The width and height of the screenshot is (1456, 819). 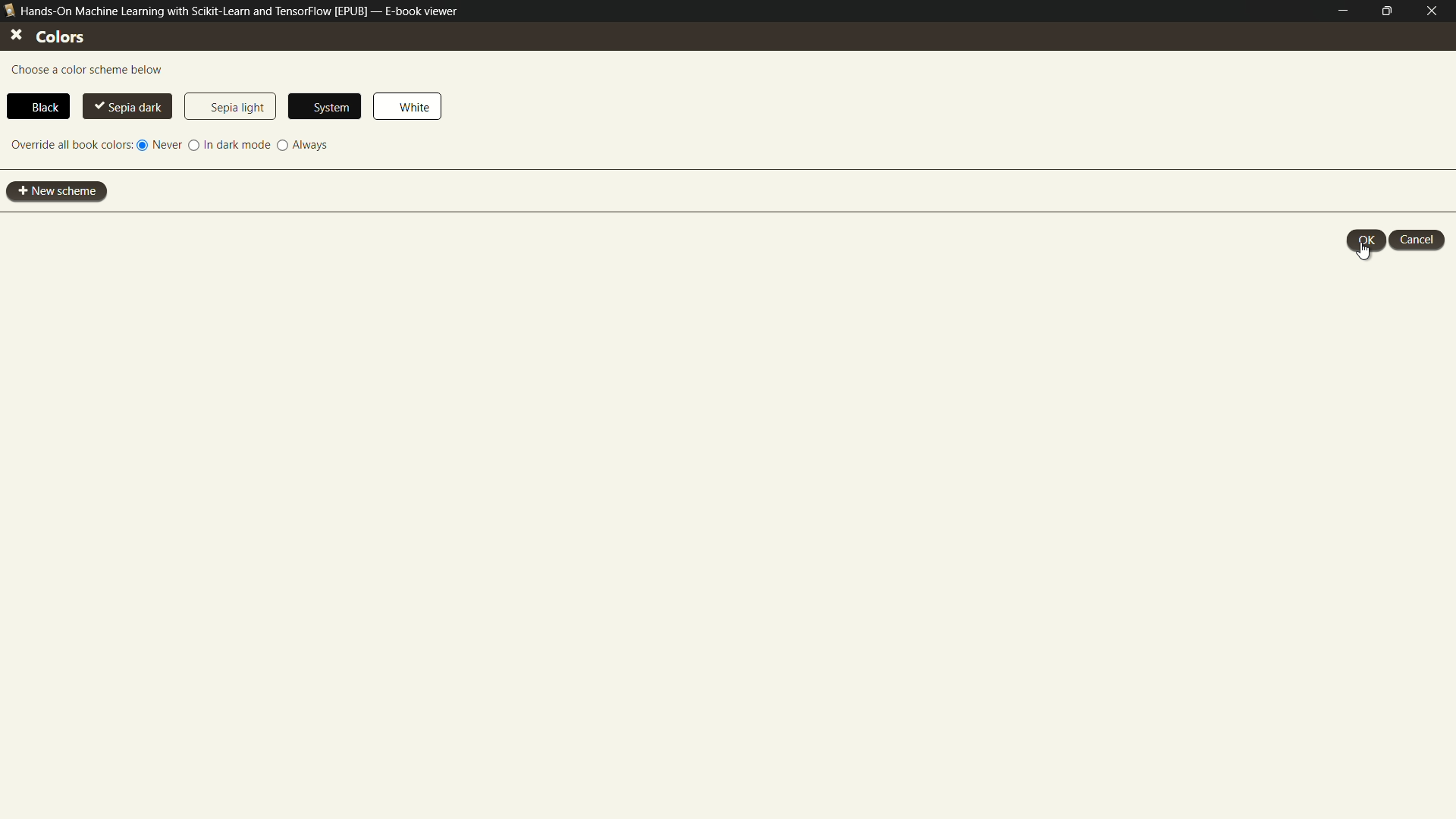 What do you see at coordinates (1391, 11) in the screenshot?
I see `maximize` at bounding box center [1391, 11].